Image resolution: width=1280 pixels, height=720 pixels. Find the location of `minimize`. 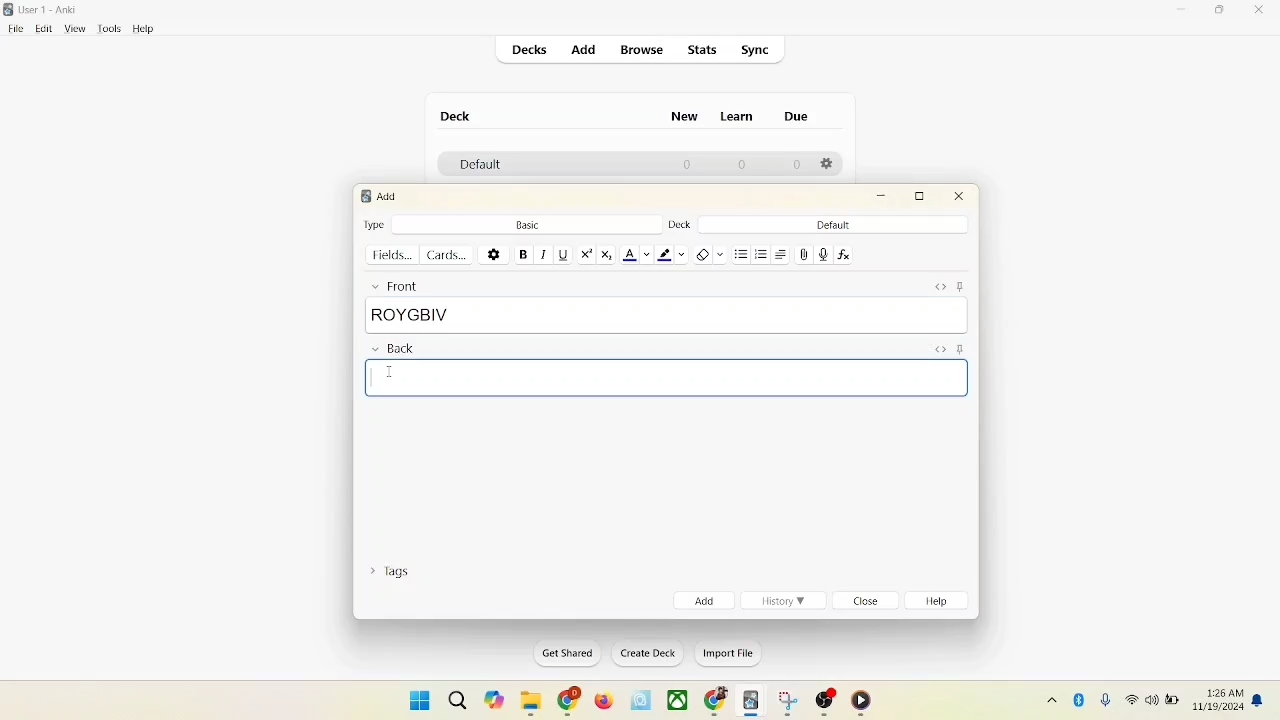

minimize is located at coordinates (1183, 11).